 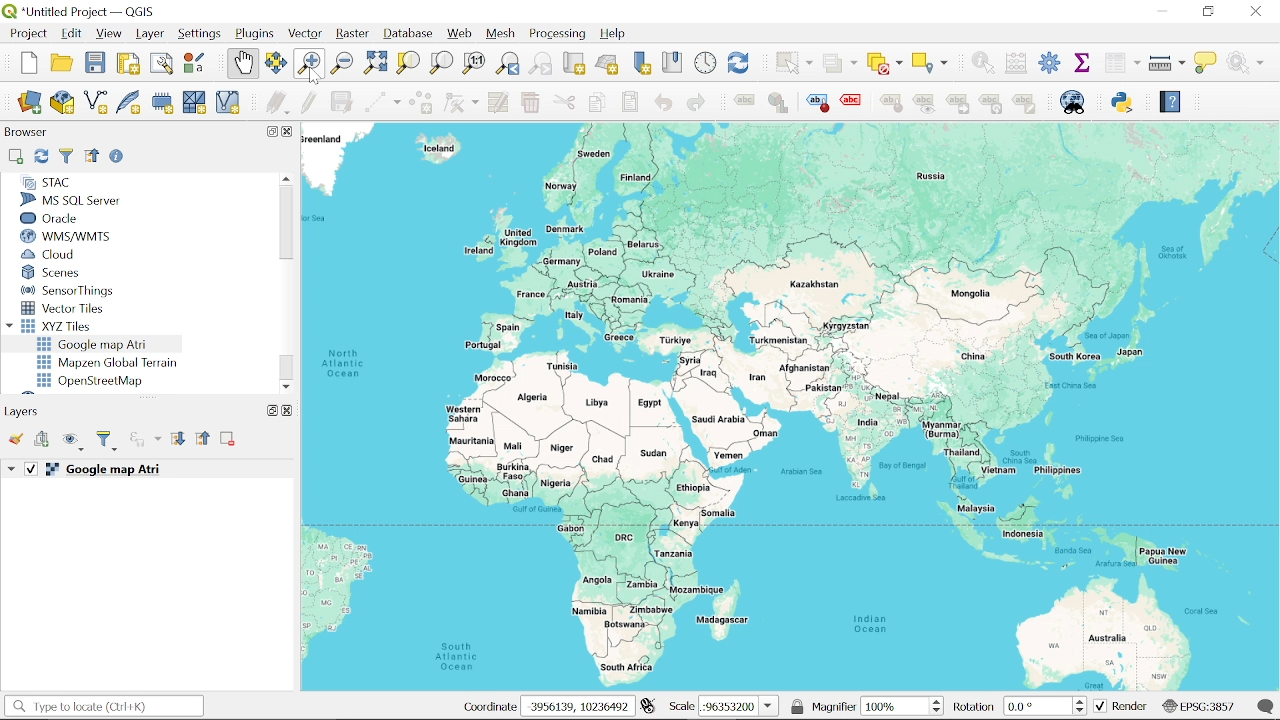 I want to click on New geopacakge layer, so click(x=63, y=102).